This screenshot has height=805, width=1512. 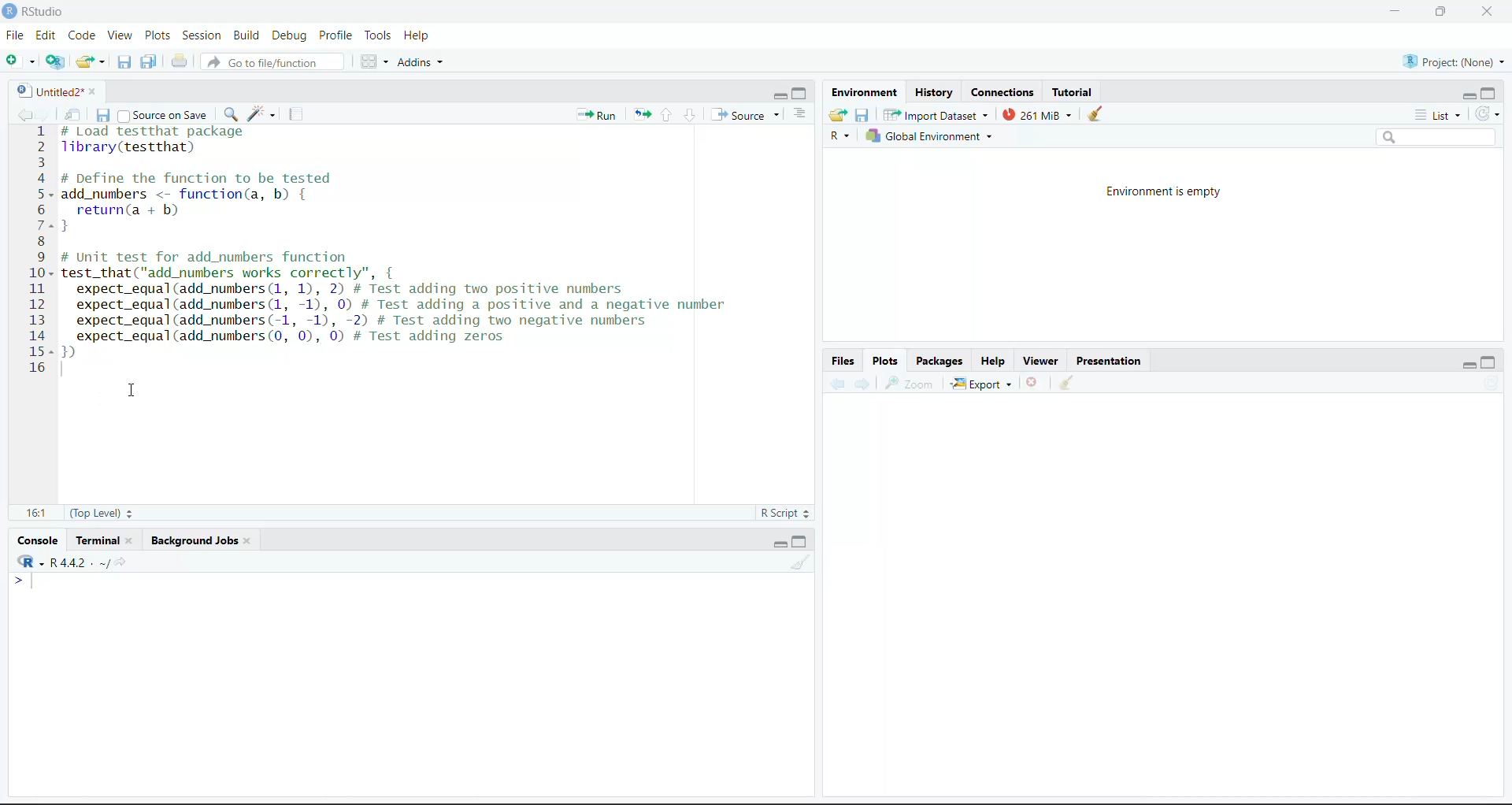 What do you see at coordinates (289, 36) in the screenshot?
I see `Debug` at bounding box center [289, 36].